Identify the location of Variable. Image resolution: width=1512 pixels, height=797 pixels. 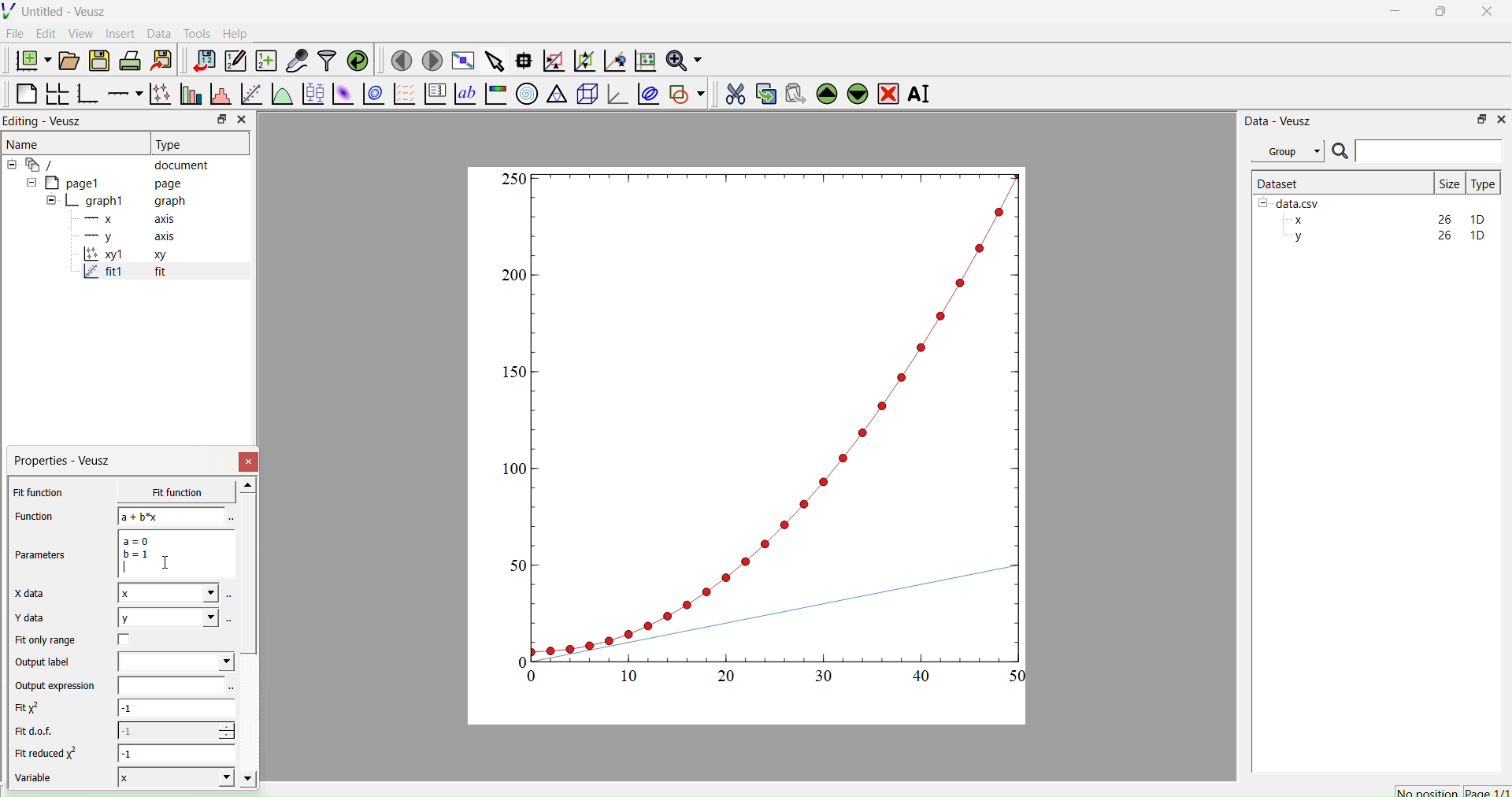
(41, 780).